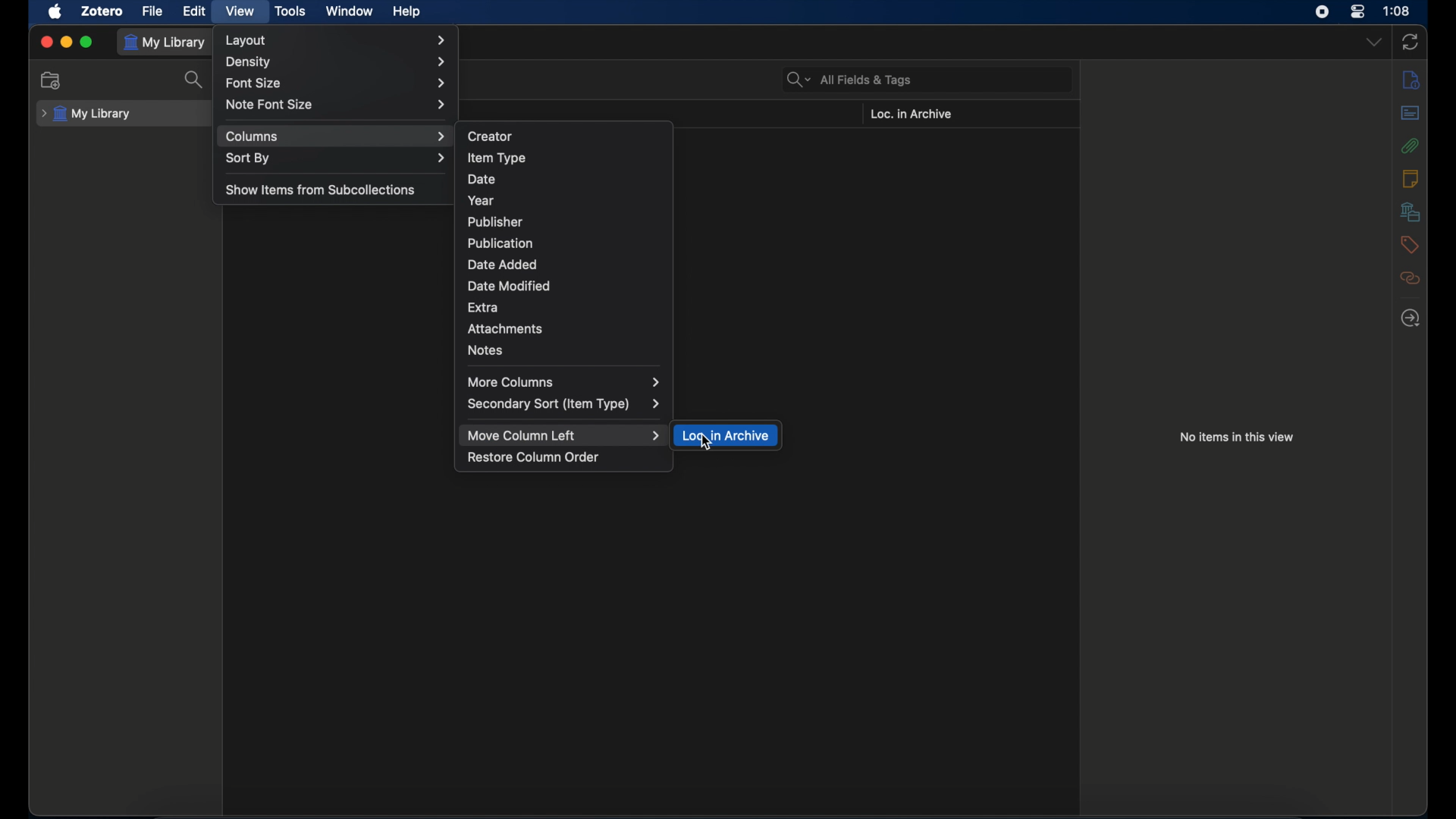 This screenshot has width=1456, height=819. I want to click on attachments, so click(1410, 145).